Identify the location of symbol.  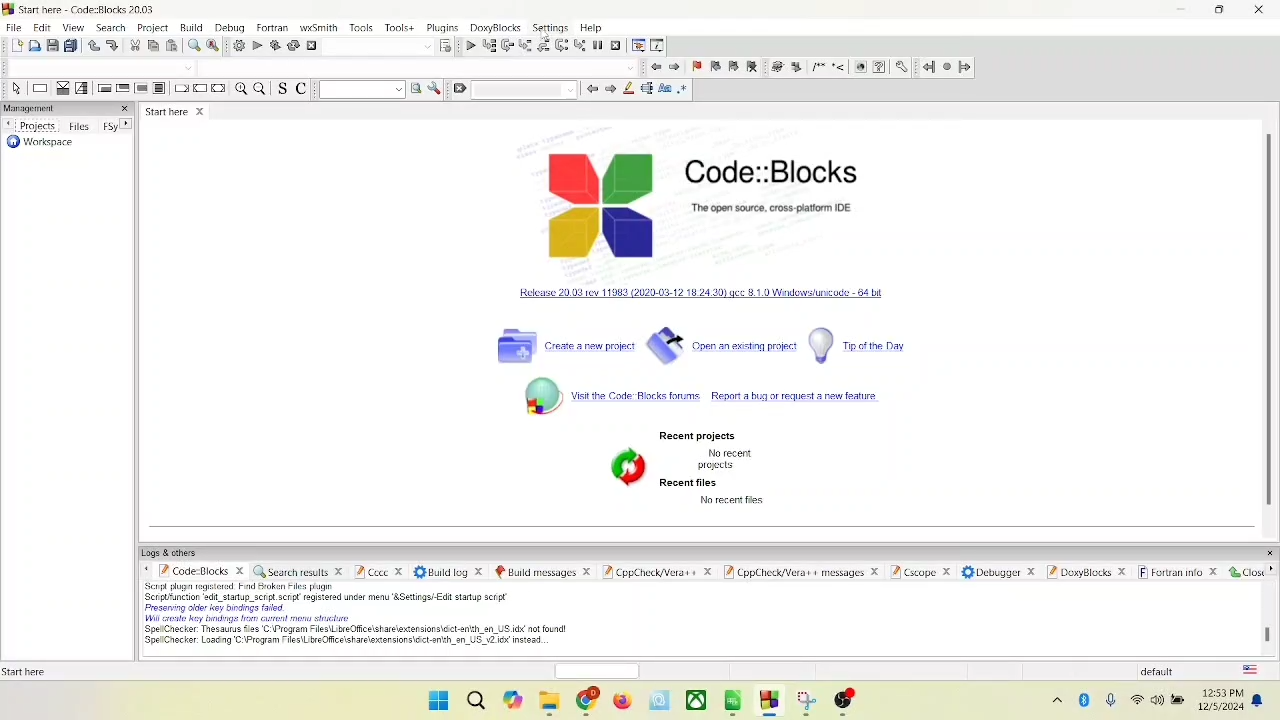
(624, 466).